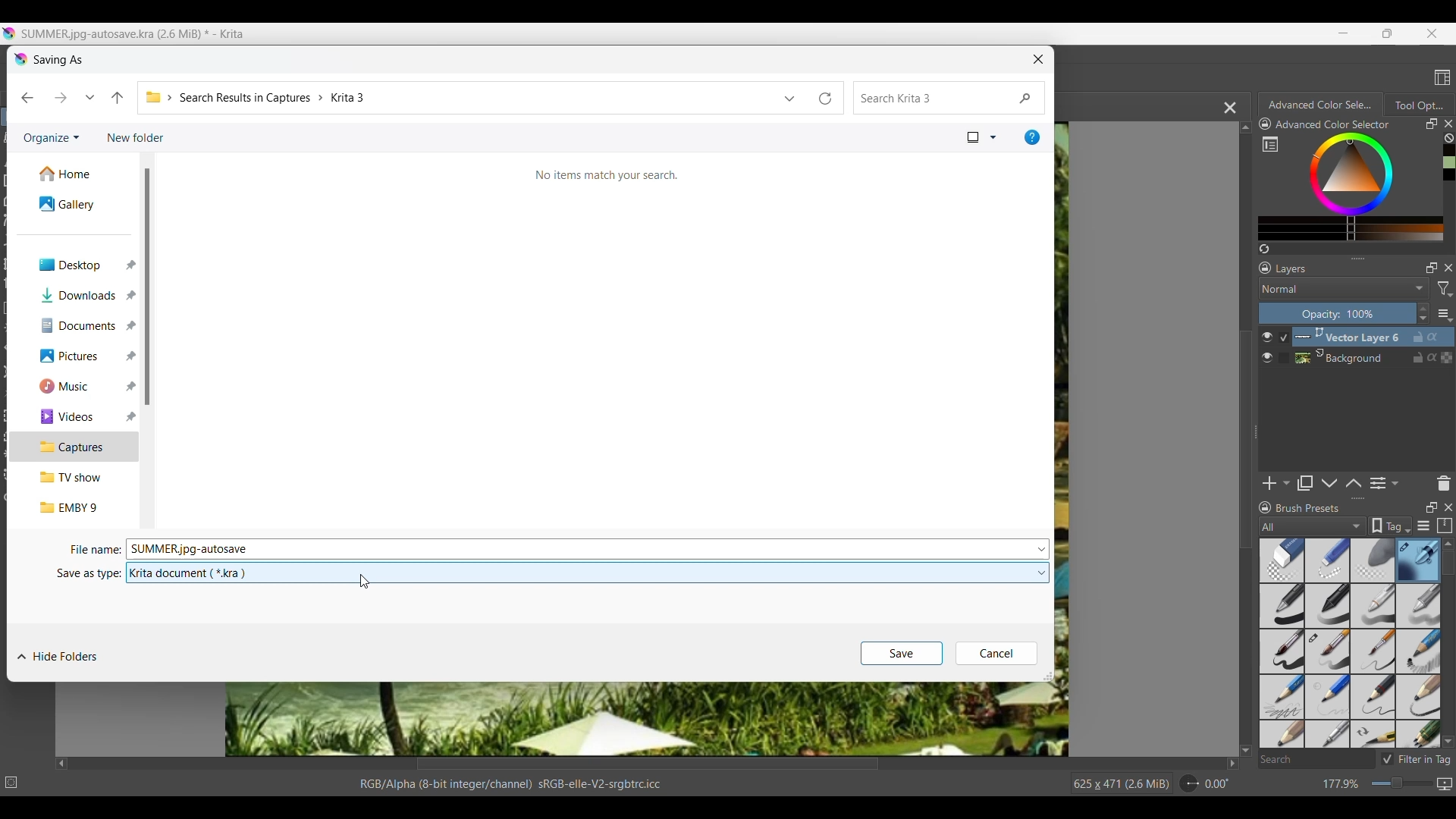 The width and height of the screenshot is (1456, 819). I want to click on TV show folder, so click(75, 477).